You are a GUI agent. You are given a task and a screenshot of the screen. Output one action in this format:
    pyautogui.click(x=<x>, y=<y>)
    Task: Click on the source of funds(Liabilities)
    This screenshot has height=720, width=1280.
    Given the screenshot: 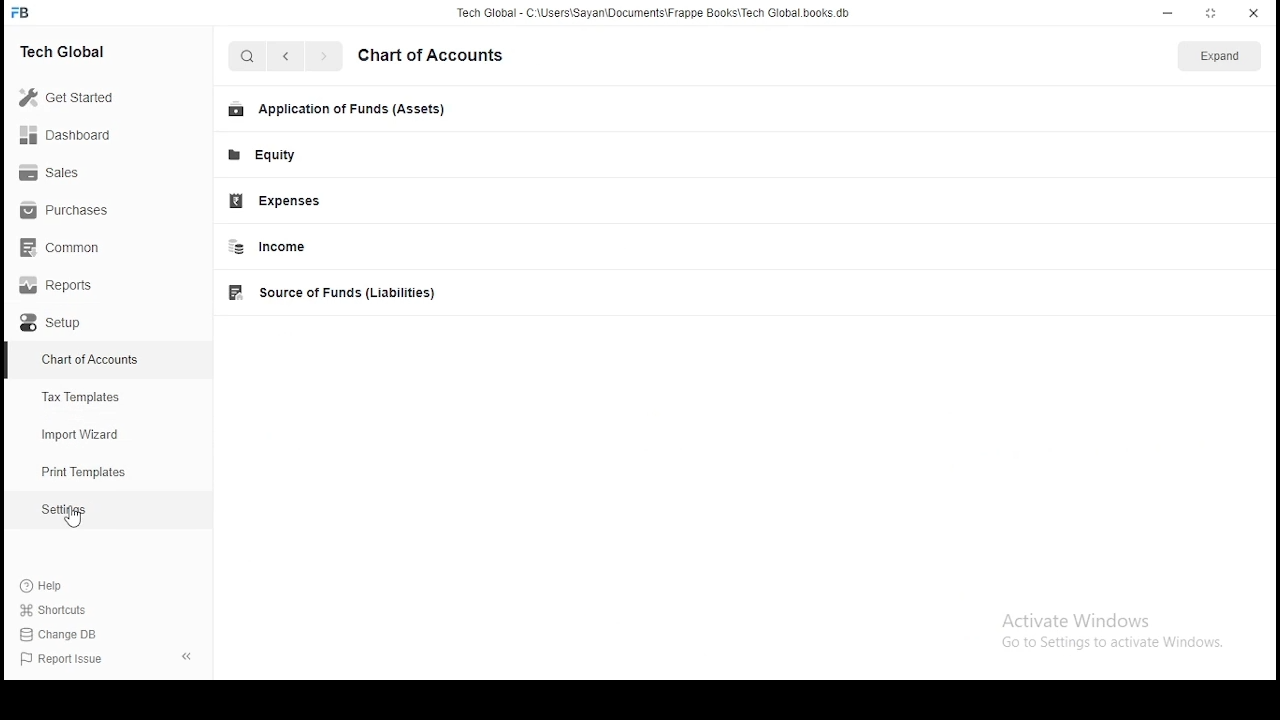 What is the action you would take?
    pyautogui.click(x=332, y=292)
    